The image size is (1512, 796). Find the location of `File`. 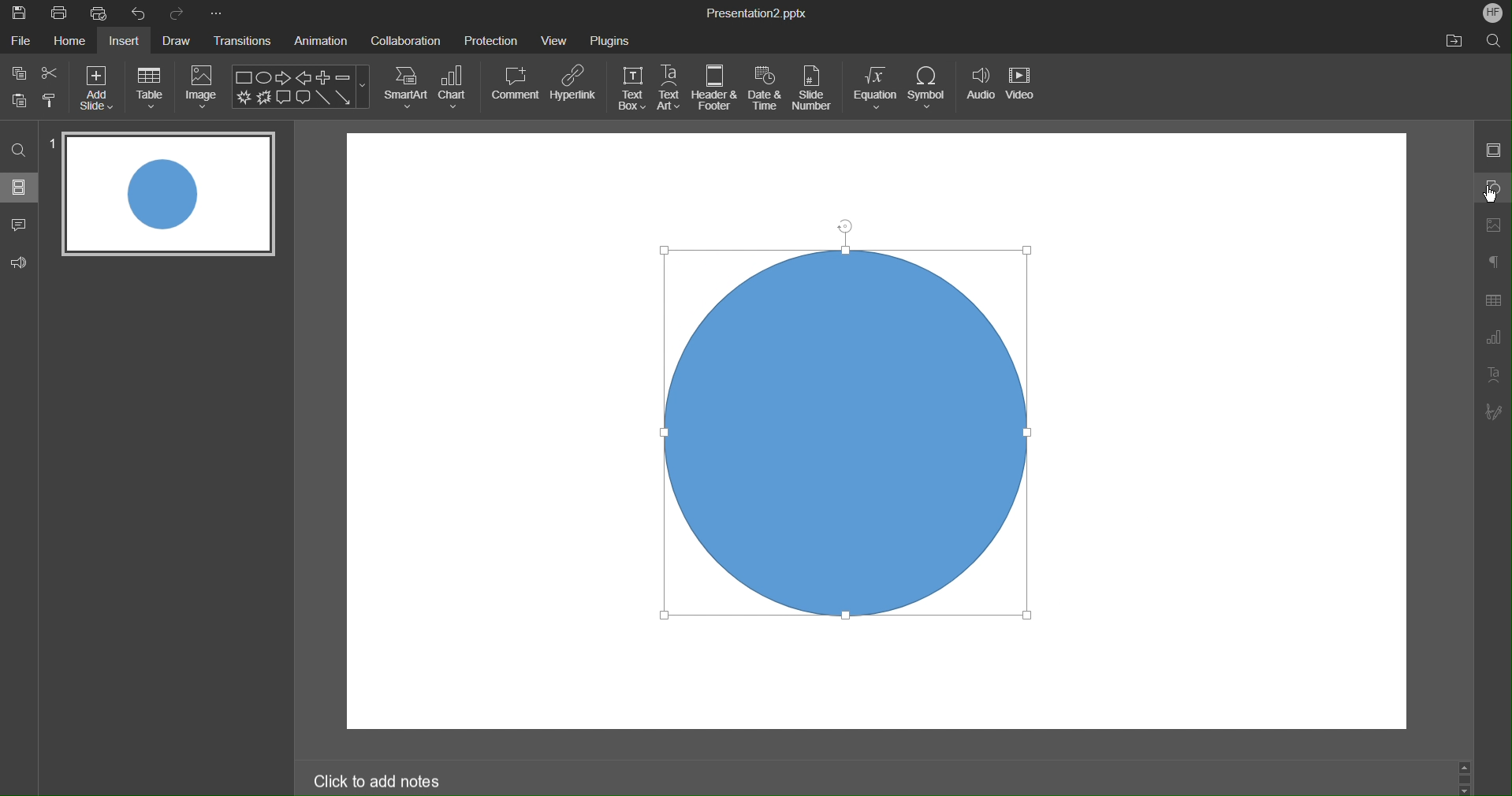

File is located at coordinates (20, 42).